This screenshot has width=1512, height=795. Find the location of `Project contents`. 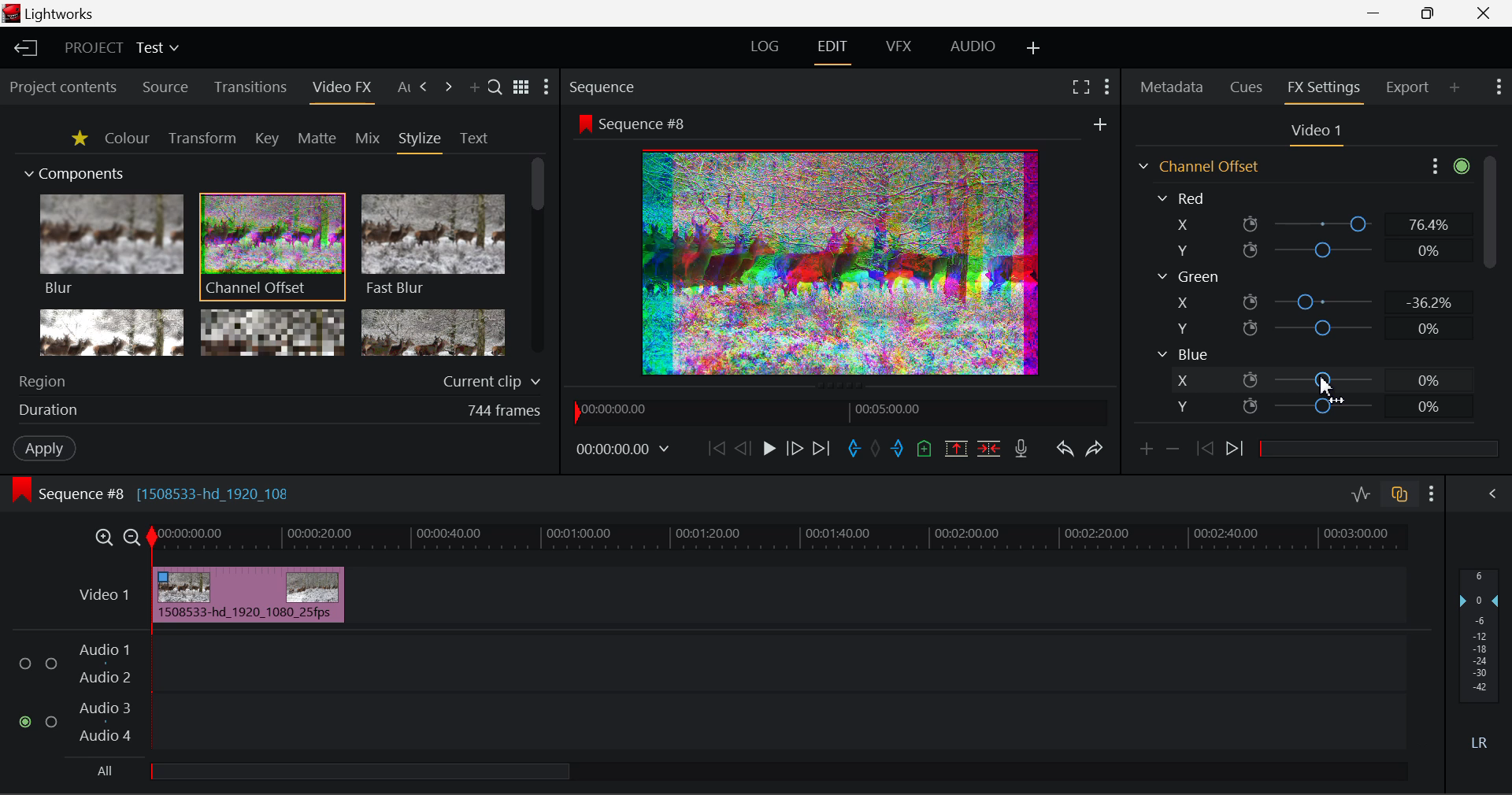

Project contents is located at coordinates (62, 88).